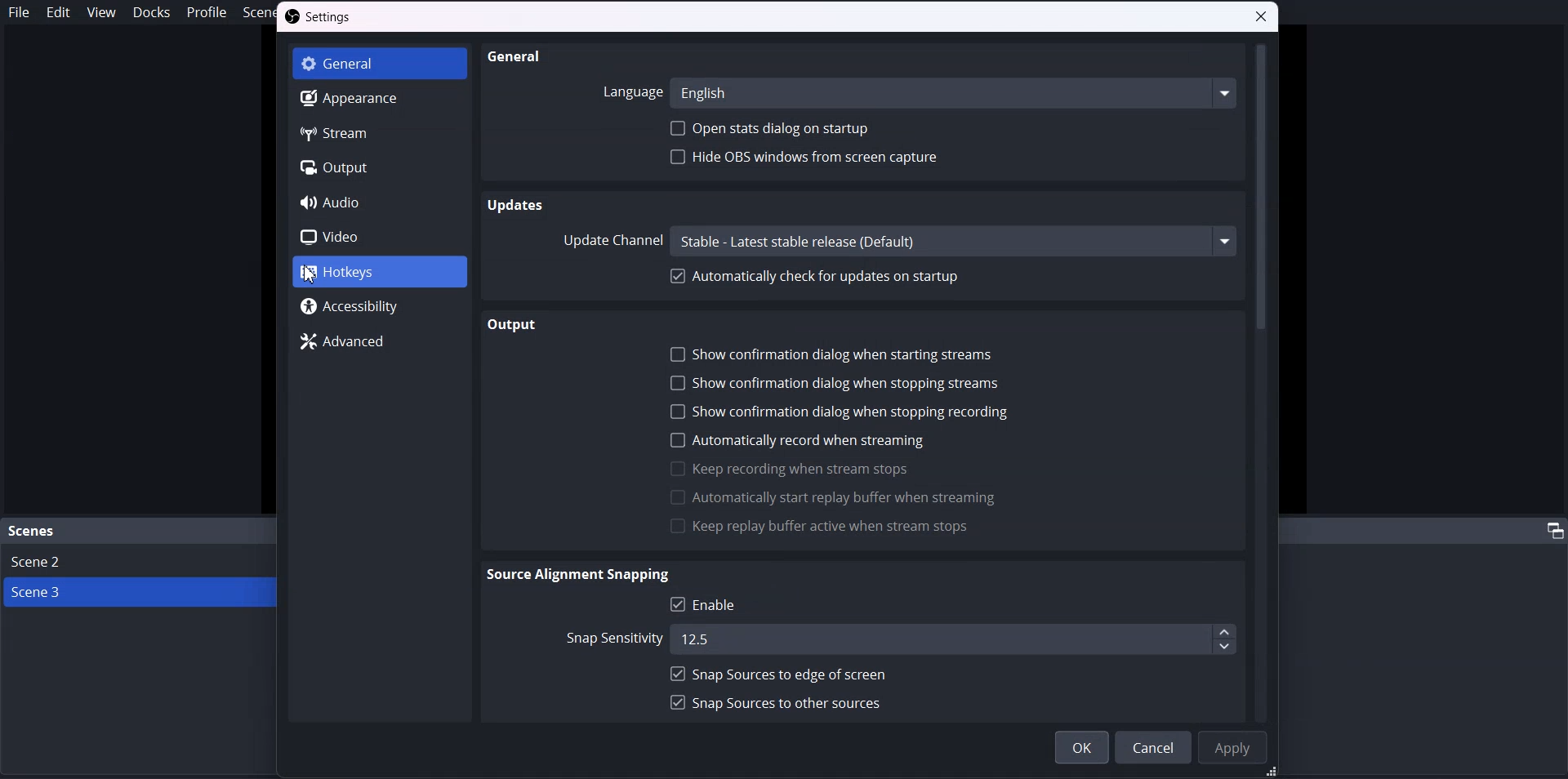 This screenshot has width=1568, height=779. What do you see at coordinates (100, 11) in the screenshot?
I see `View` at bounding box center [100, 11].